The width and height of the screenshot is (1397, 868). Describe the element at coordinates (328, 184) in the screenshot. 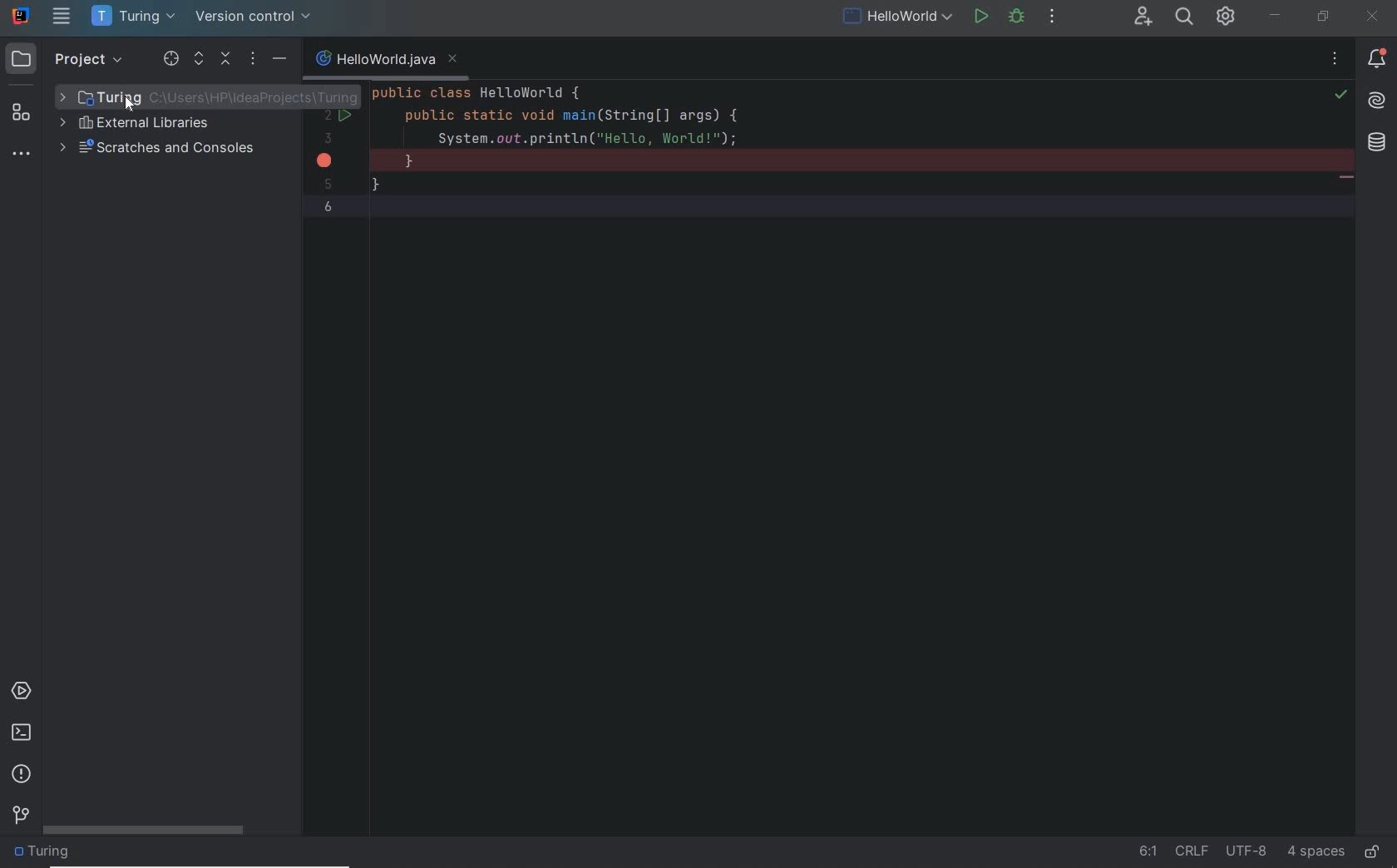

I see `5` at that location.